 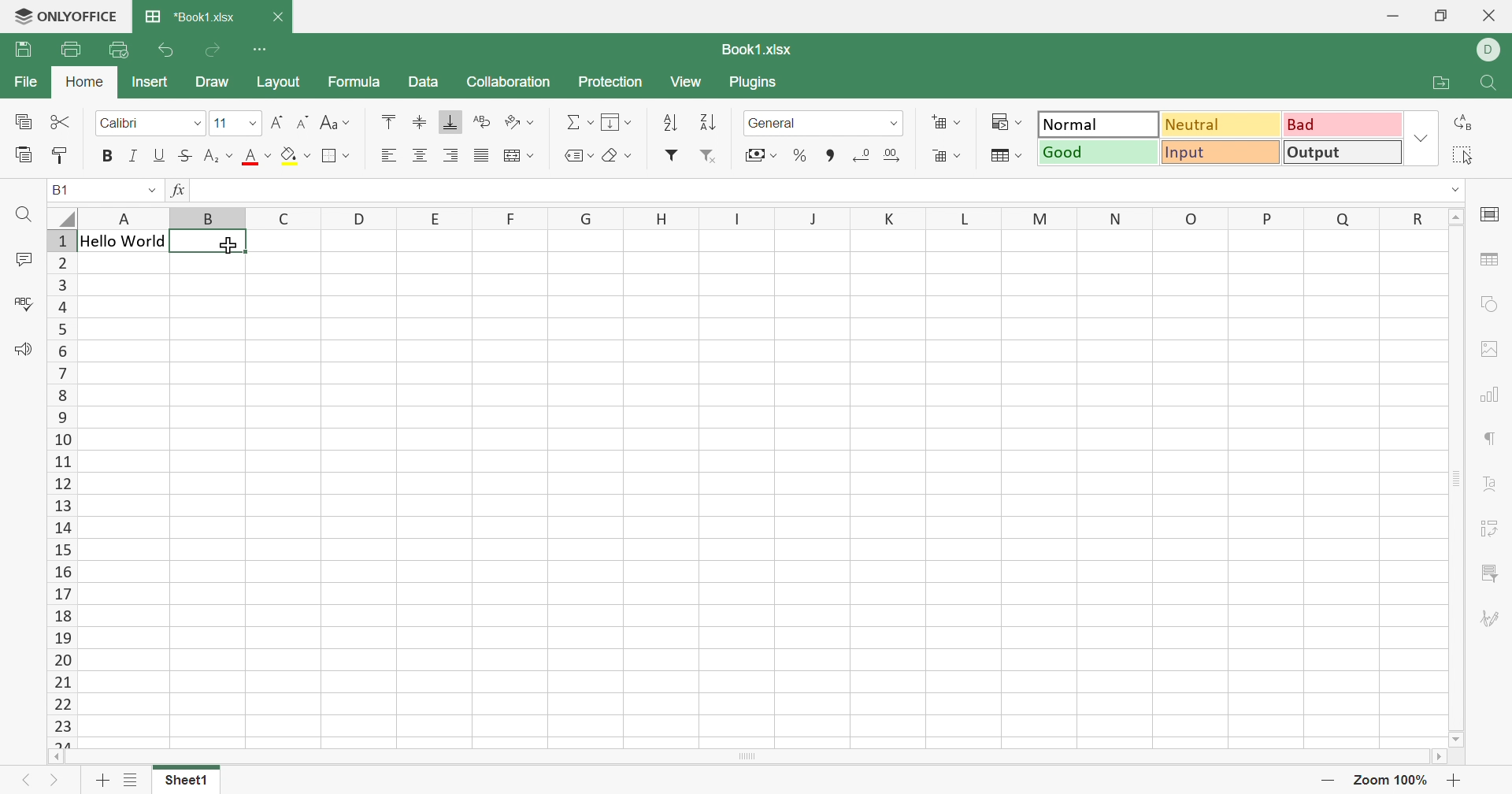 What do you see at coordinates (1489, 304) in the screenshot?
I see `shape settings` at bounding box center [1489, 304].